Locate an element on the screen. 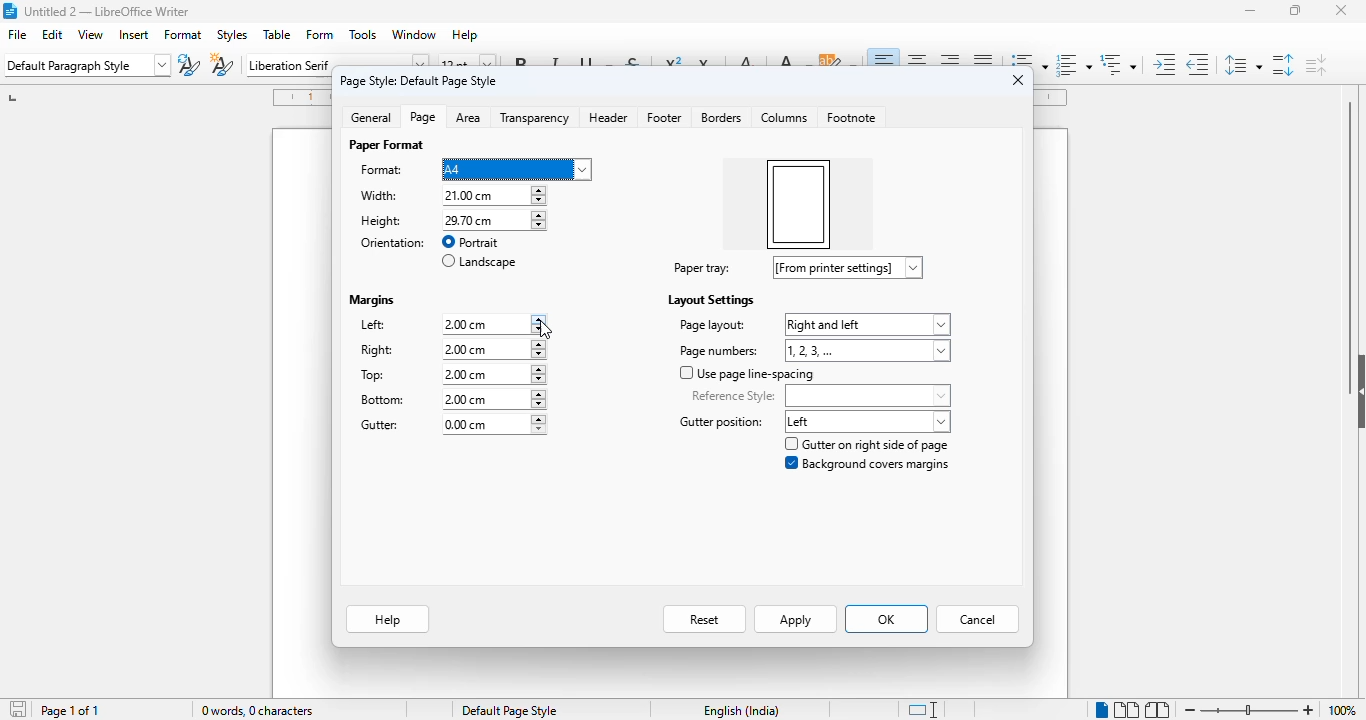  justified is located at coordinates (985, 60).